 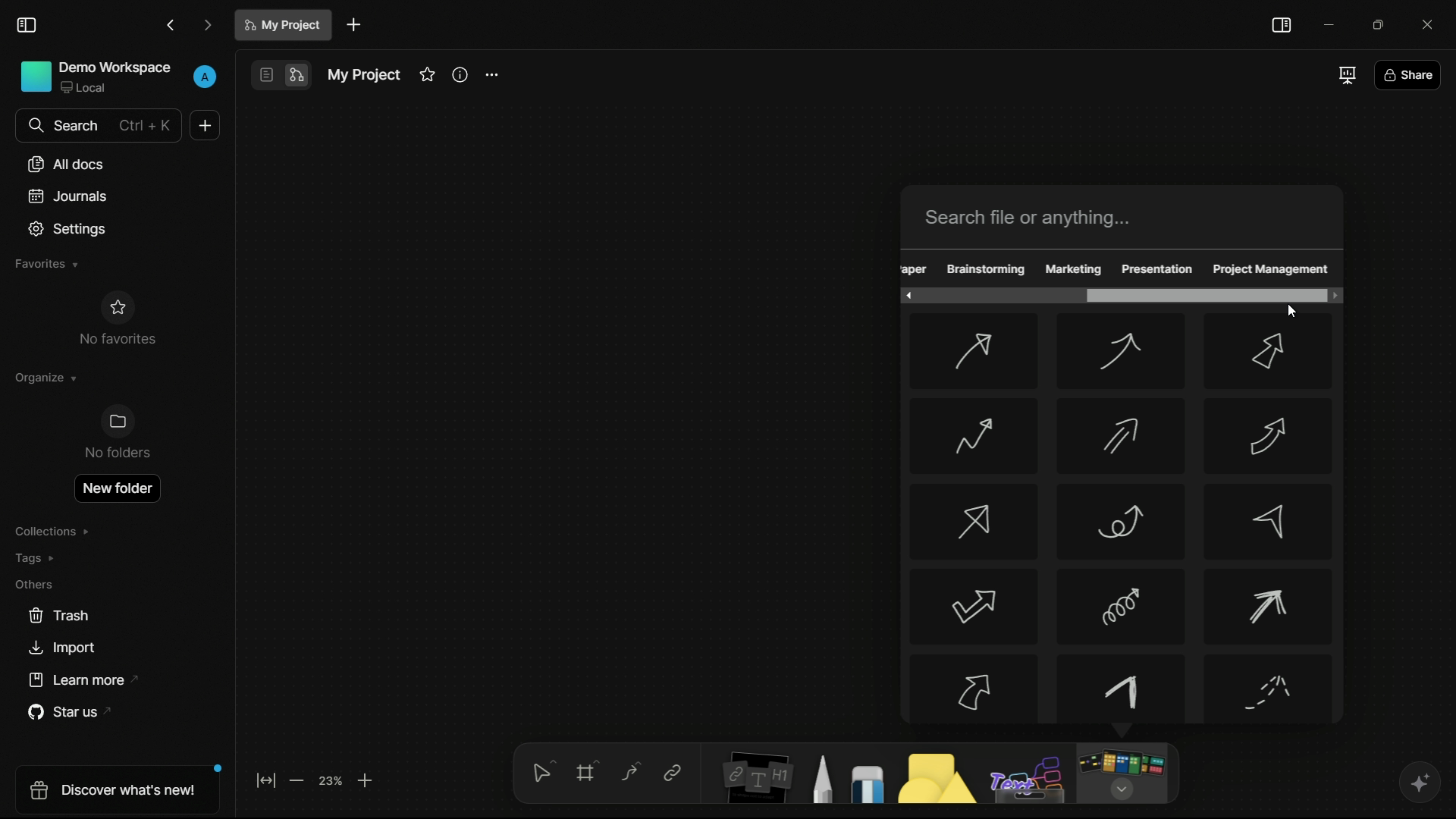 What do you see at coordinates (672, 773) in the screenshot?
I see `link` at bounding box center [672, 773].